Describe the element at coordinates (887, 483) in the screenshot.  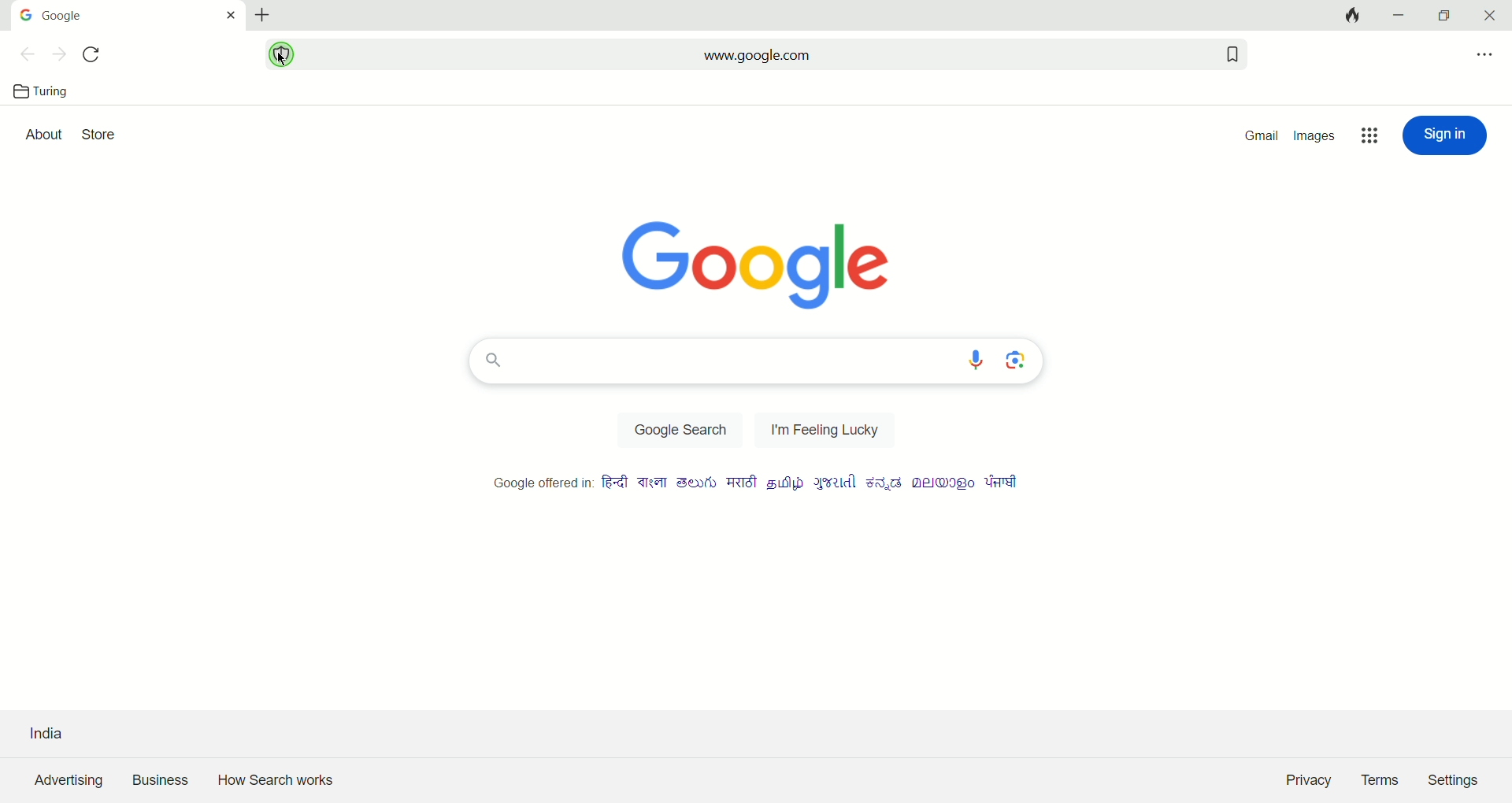
I see `language` at that location.